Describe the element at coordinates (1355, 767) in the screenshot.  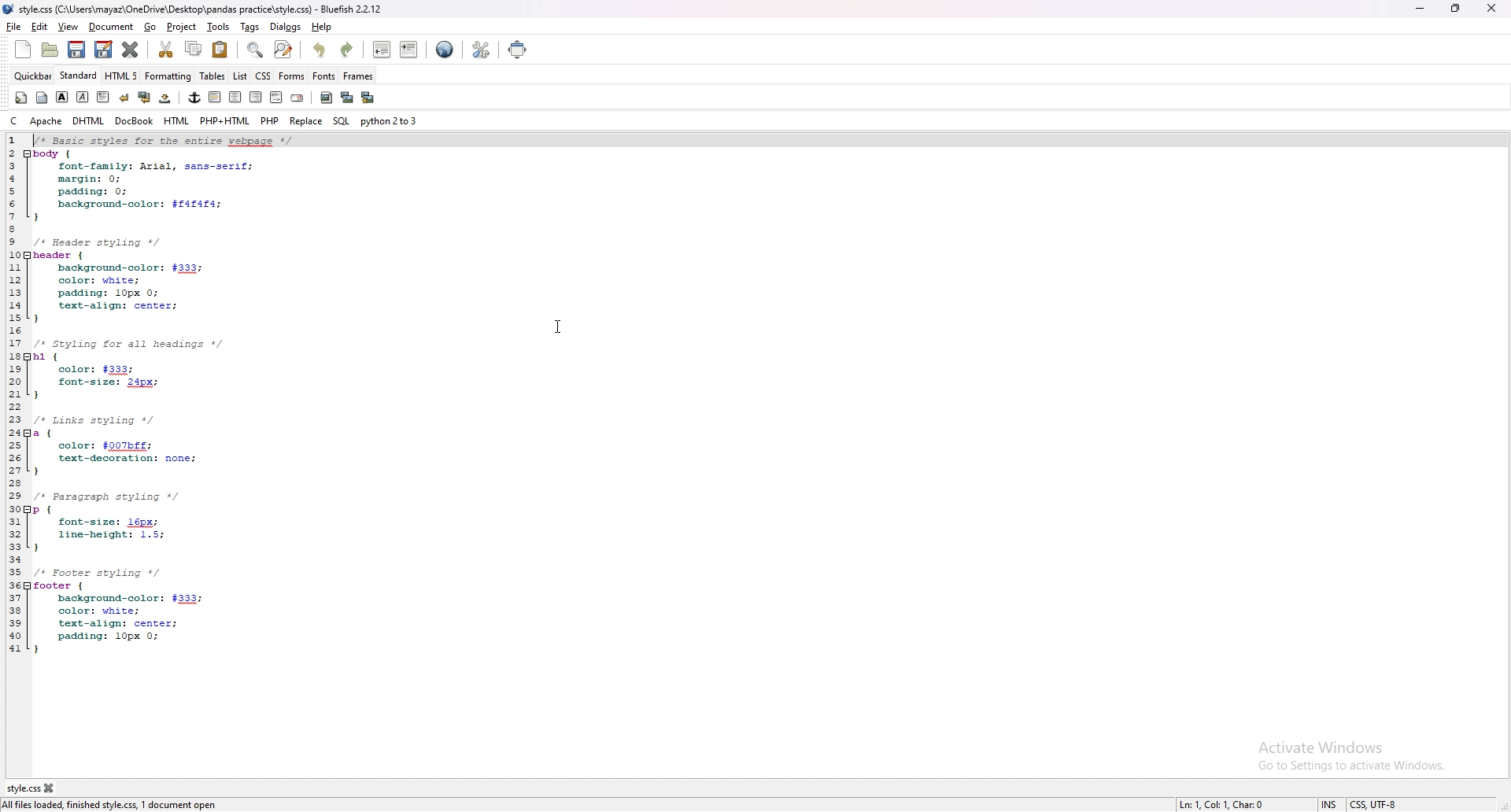
I see `Go to Settings to activate Windows.` at that location.